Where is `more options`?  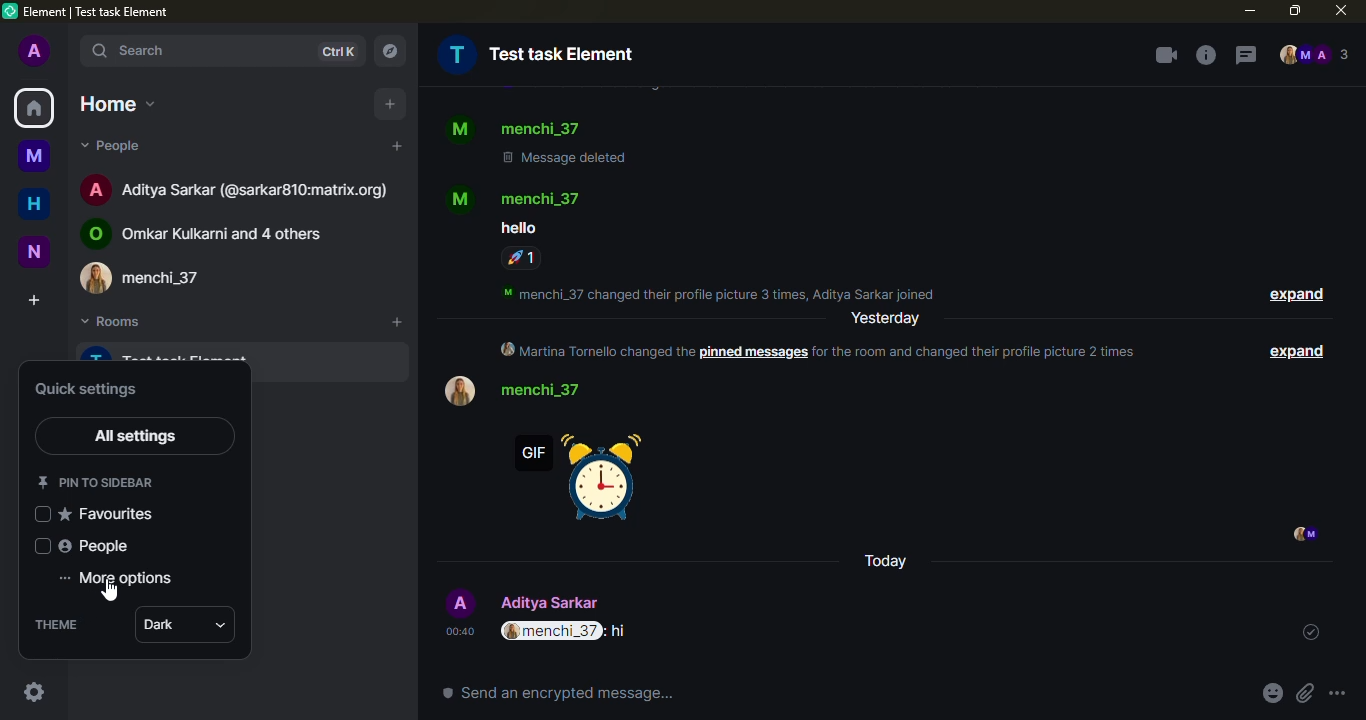
more options is located at coordinates (122, 578).